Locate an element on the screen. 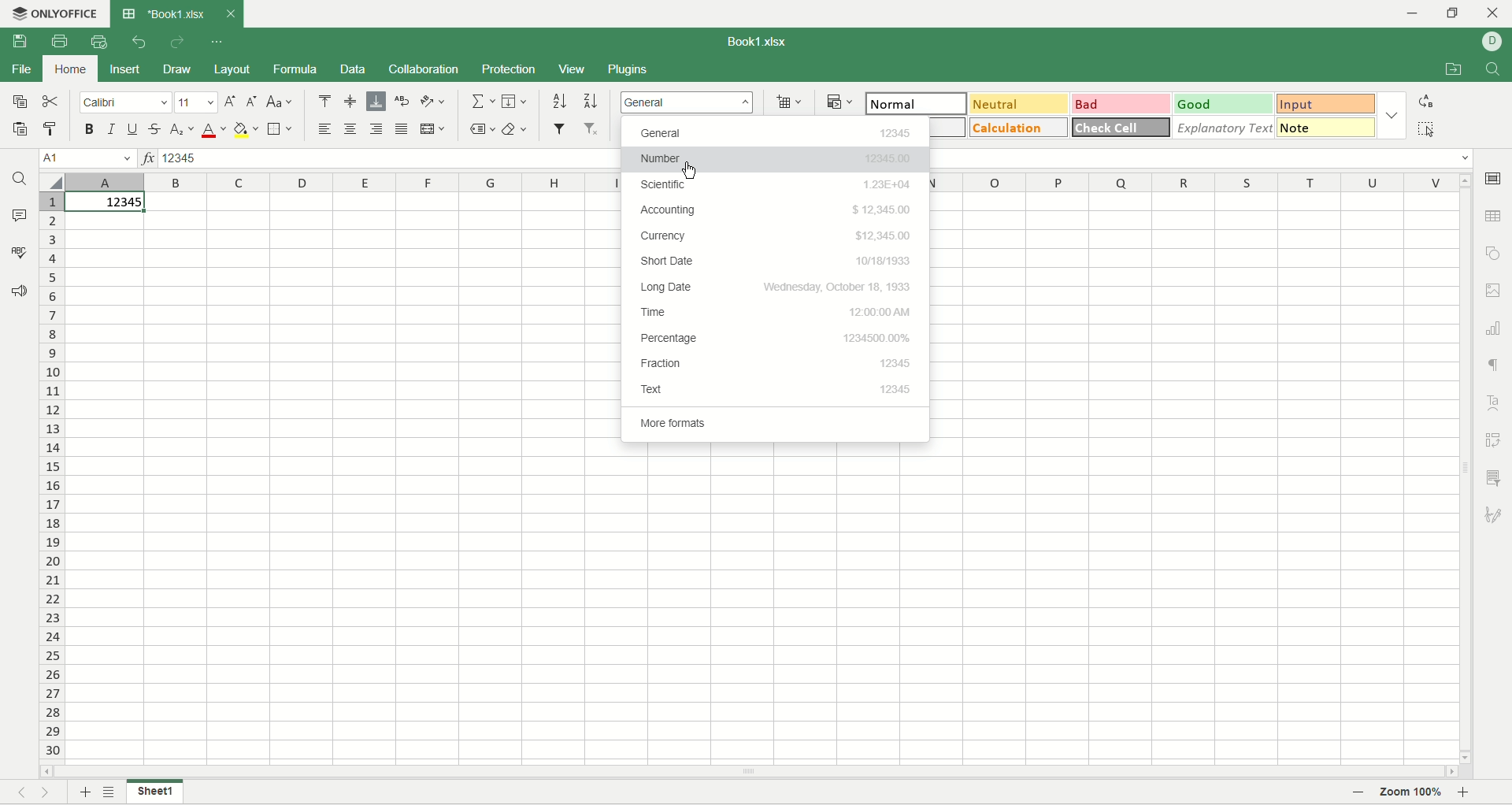 This screenshot has width=1512, height=805. calculation is located at coordinates (1020, 127).